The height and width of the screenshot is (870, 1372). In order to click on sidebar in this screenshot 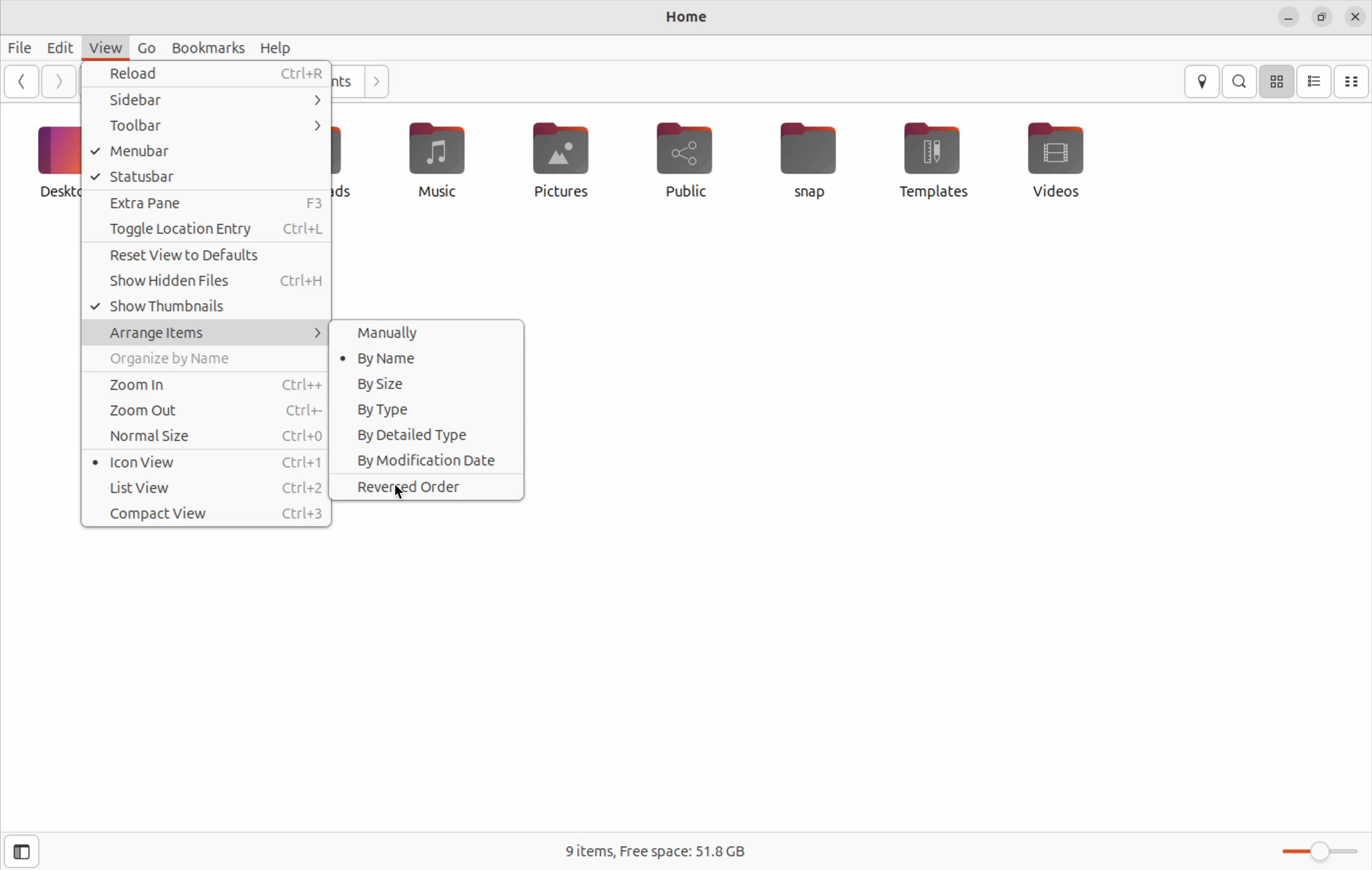, I will do `click(203, 100)`.